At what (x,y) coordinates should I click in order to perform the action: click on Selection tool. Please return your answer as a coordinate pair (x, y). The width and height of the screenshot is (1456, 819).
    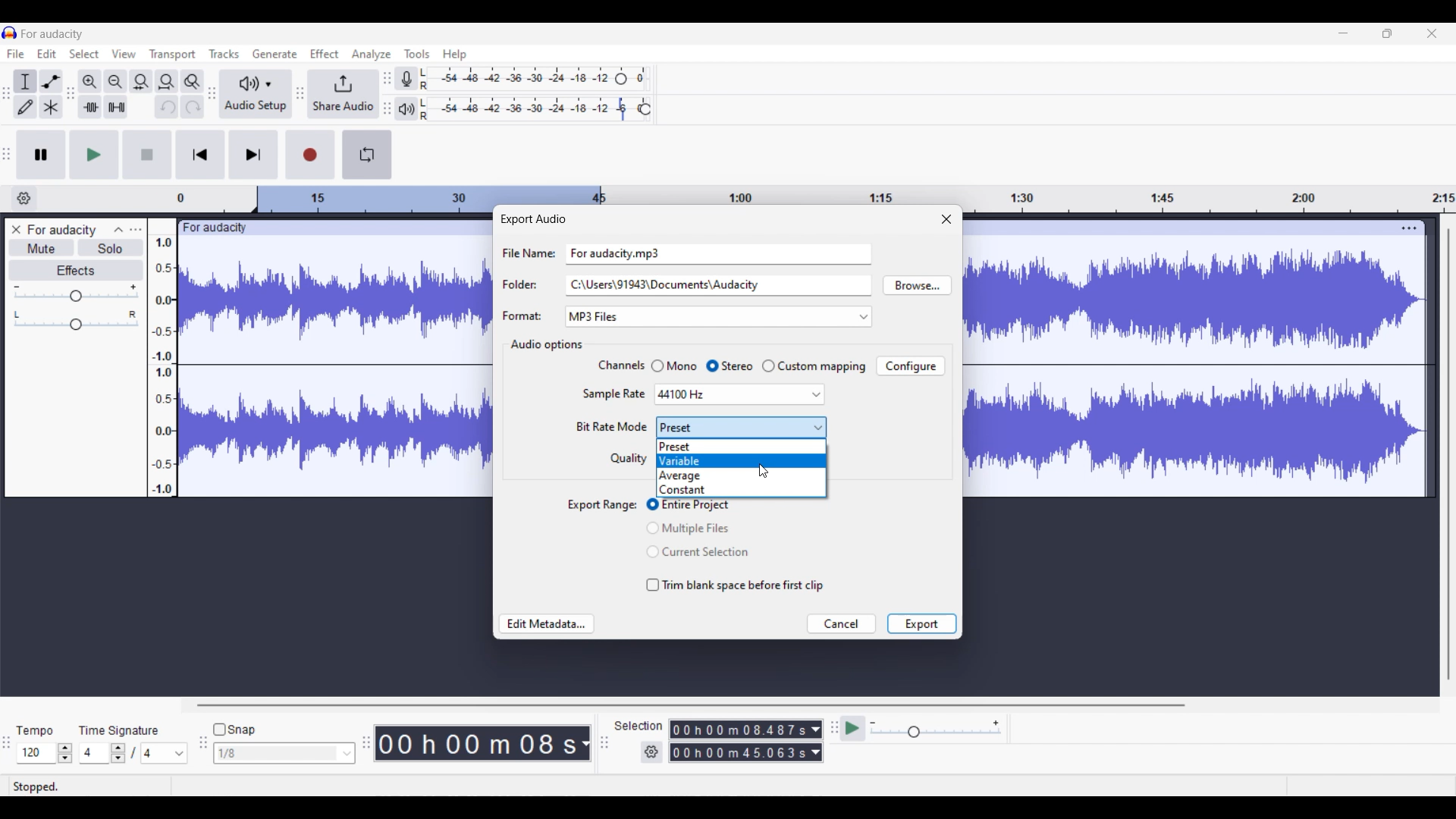
    Looking at the image, I should click on (24, 83).